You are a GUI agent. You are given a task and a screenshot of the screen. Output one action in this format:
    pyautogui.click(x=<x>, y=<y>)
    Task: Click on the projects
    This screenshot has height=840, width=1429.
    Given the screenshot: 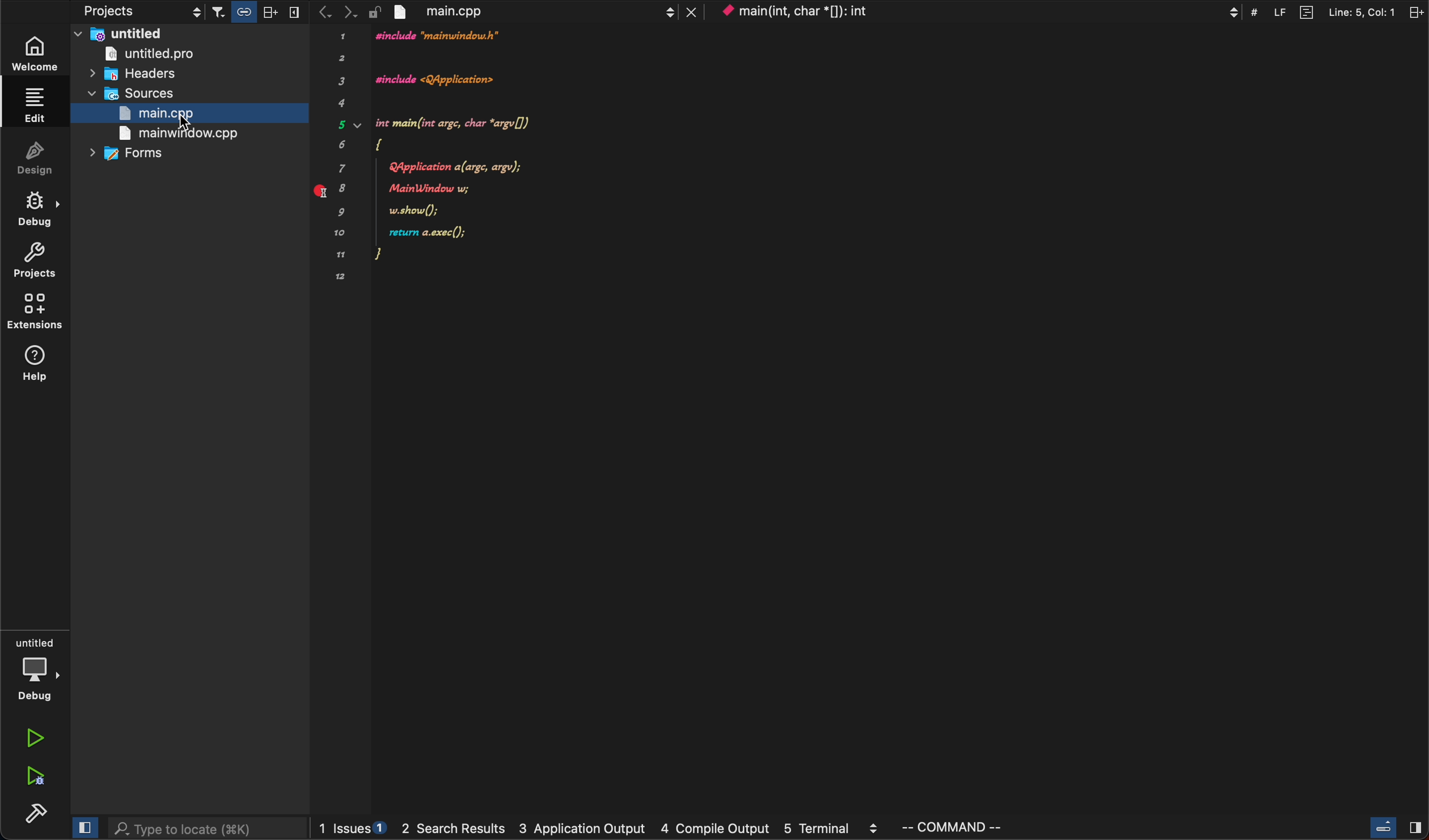 What is the action you would take?
    pyautogui.click(x=113, y=11)
    